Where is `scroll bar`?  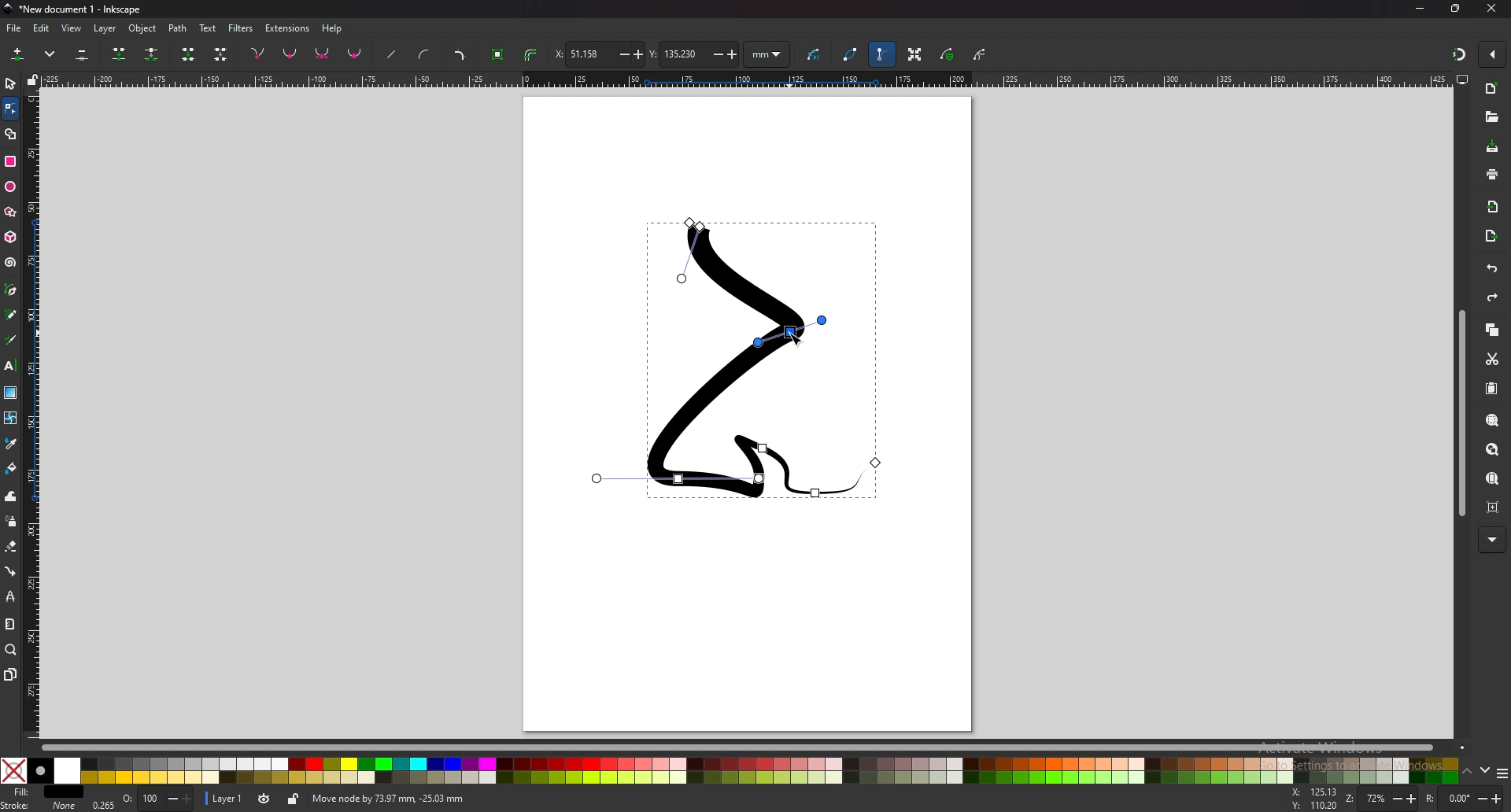
scroll bar is located at coordinates (738, 748).